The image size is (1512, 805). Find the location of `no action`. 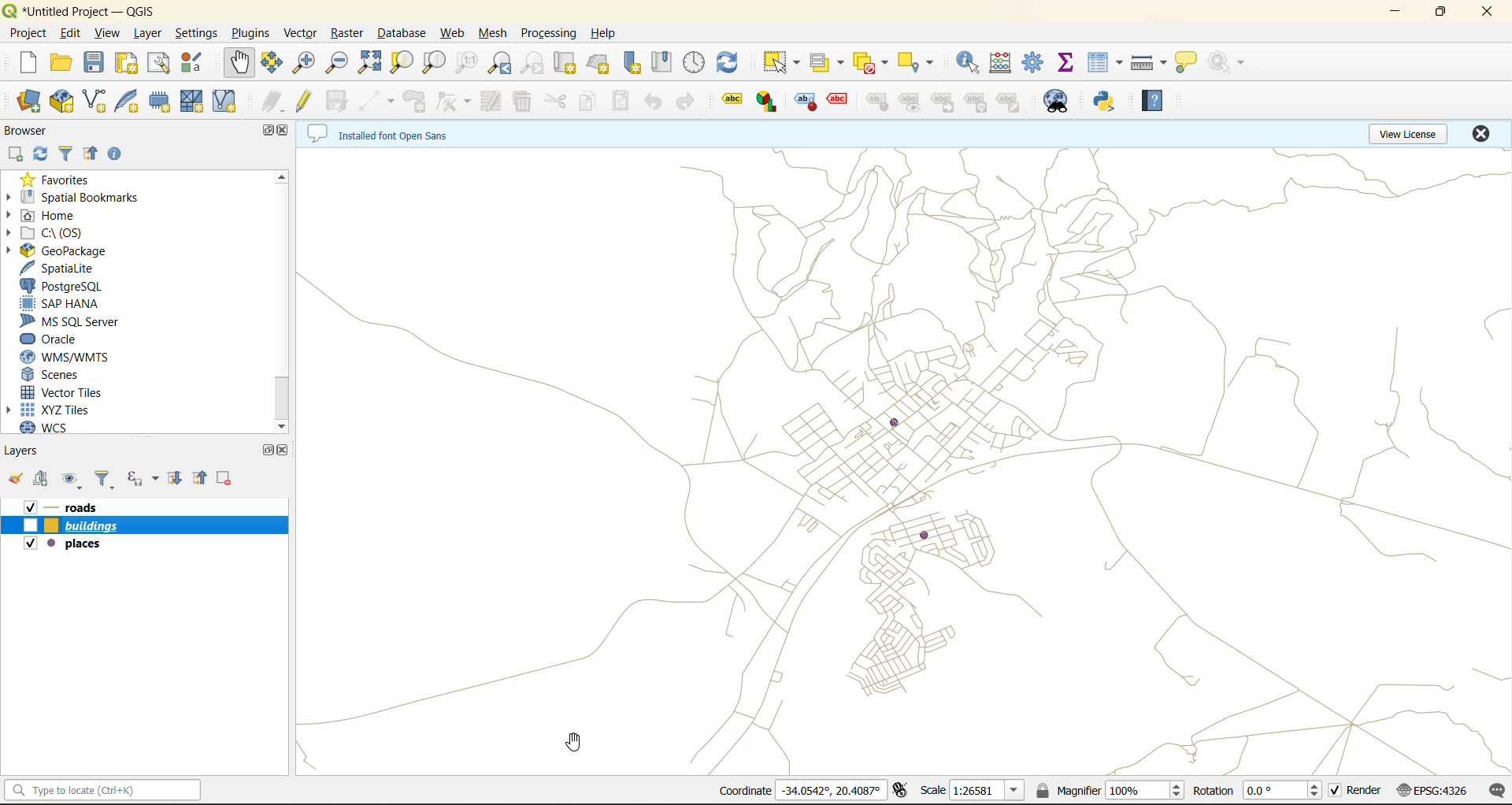

no action is located at coordinates (1227, 63).